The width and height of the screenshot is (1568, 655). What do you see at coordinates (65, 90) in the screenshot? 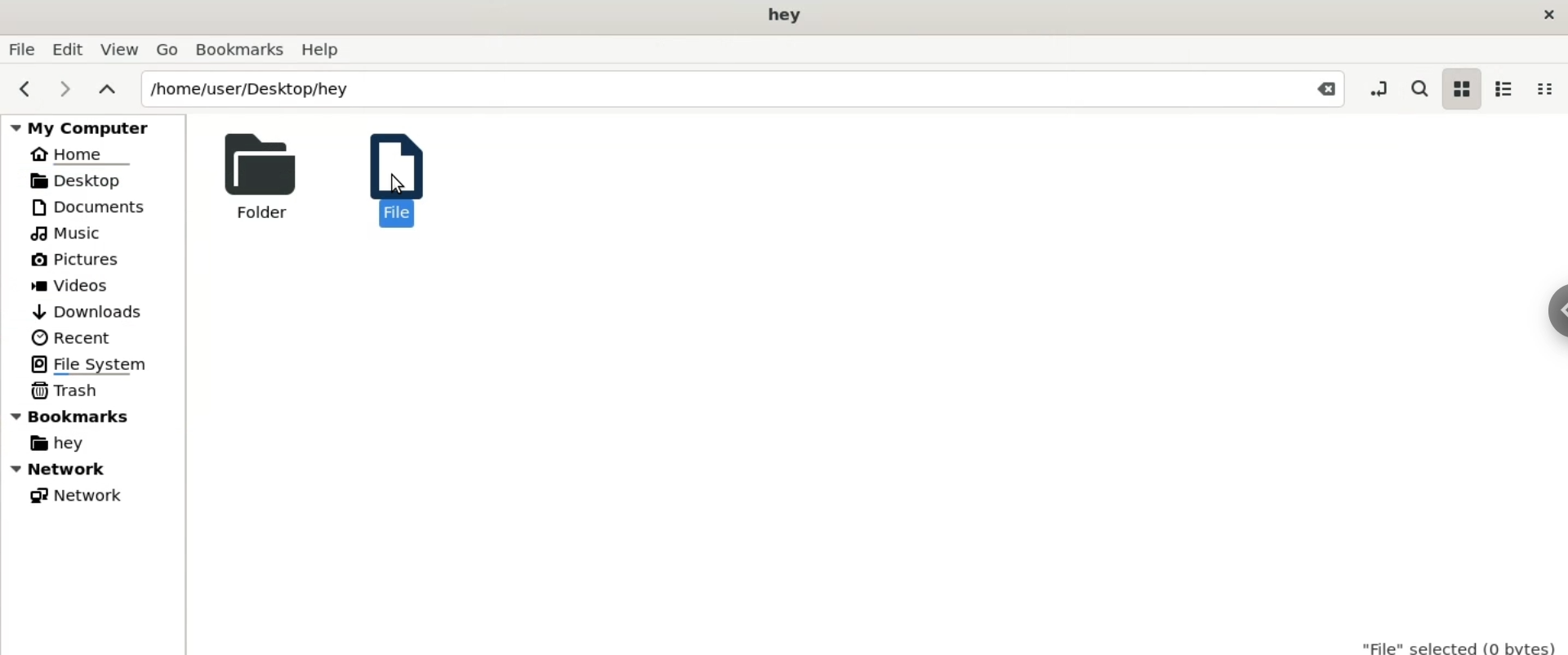
I see `next` at bounding box center [65, 90].